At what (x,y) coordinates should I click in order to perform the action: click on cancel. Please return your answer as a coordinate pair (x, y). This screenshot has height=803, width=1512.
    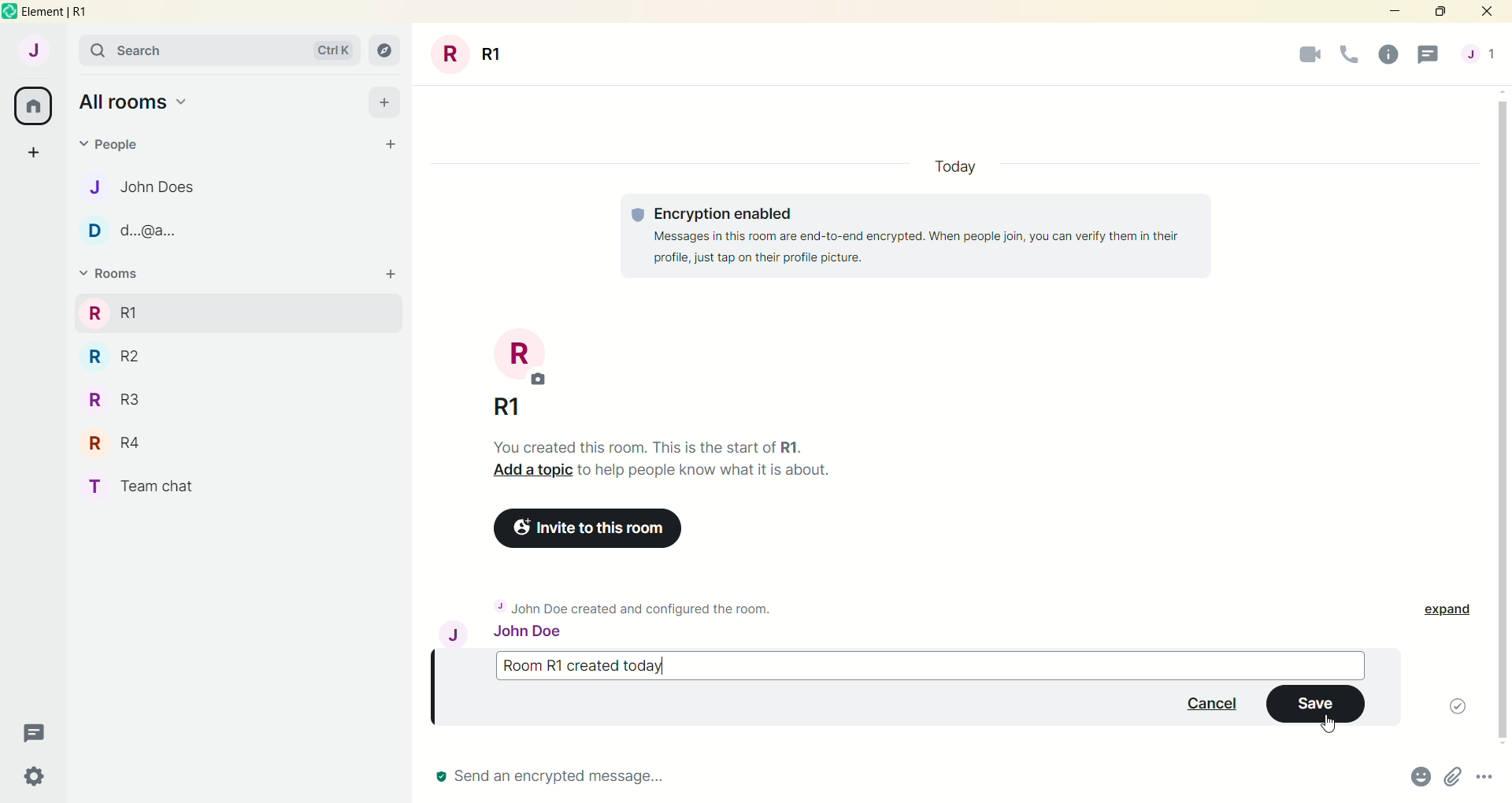
    Looking at the image, I should click on (1208, 701).